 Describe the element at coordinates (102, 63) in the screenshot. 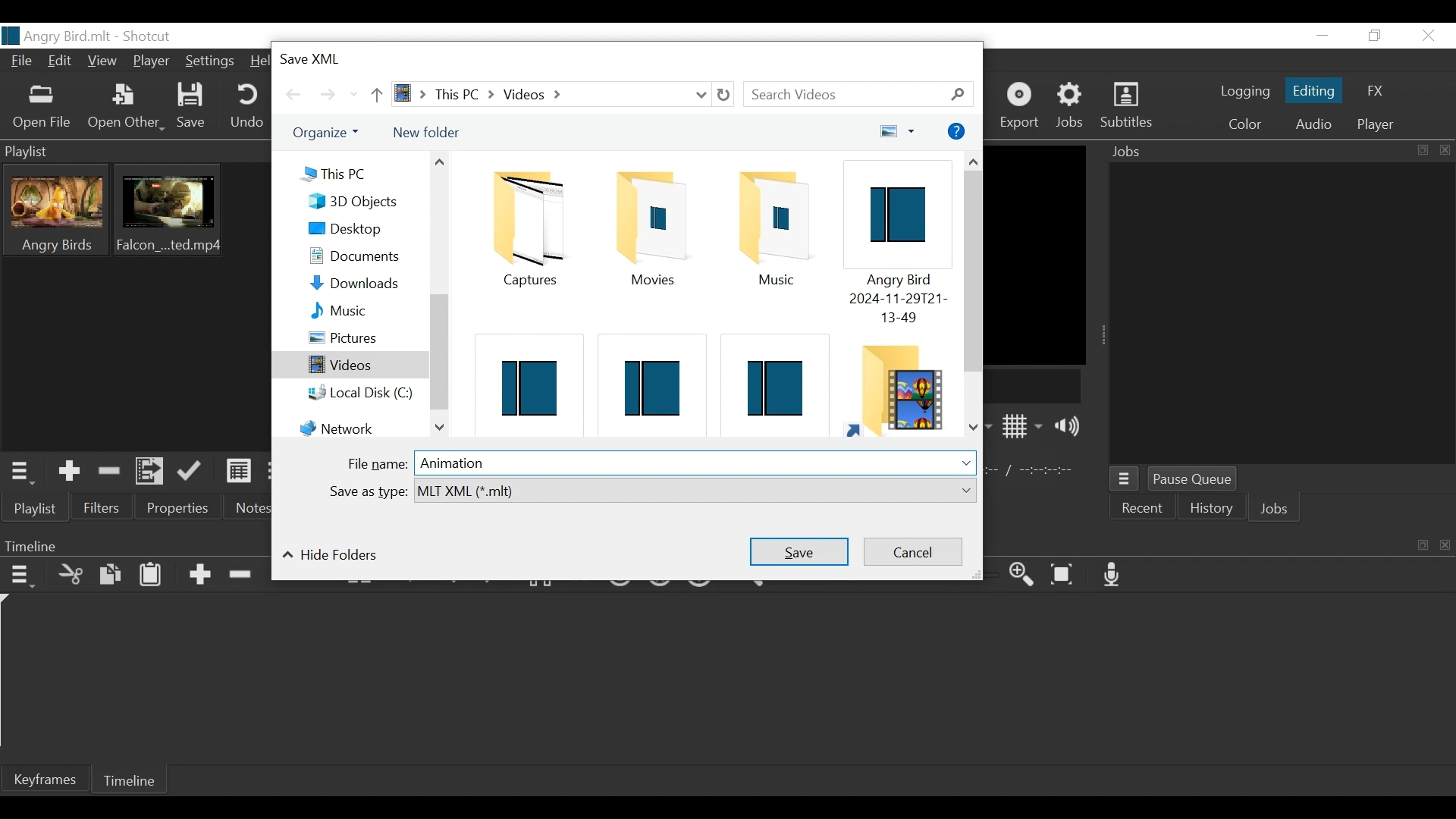

I see `View` at that location.